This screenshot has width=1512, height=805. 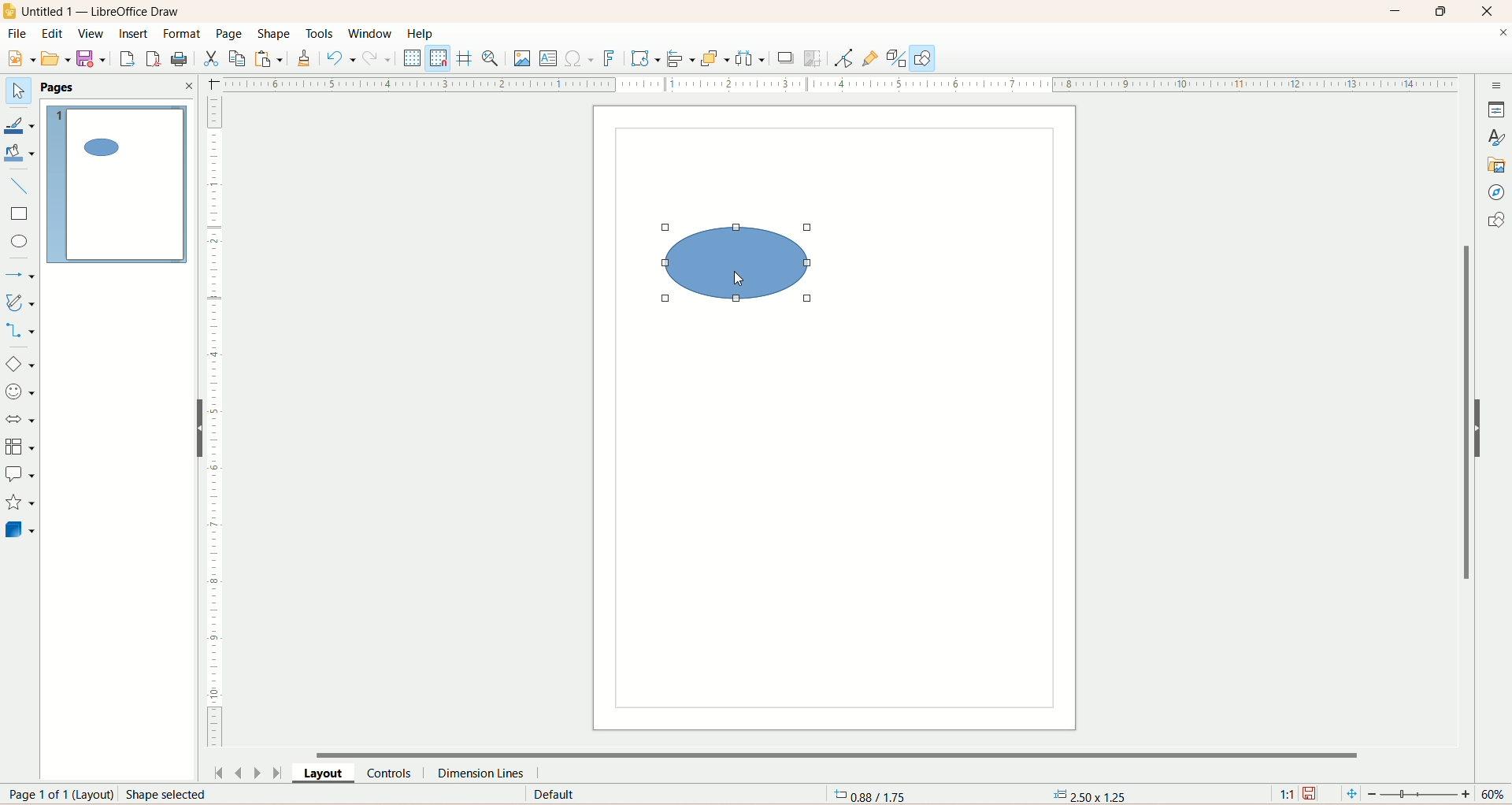 What do you see at coordinates (185, 60) in the screenshot?
I see `print` at bounding box center [185, 60].